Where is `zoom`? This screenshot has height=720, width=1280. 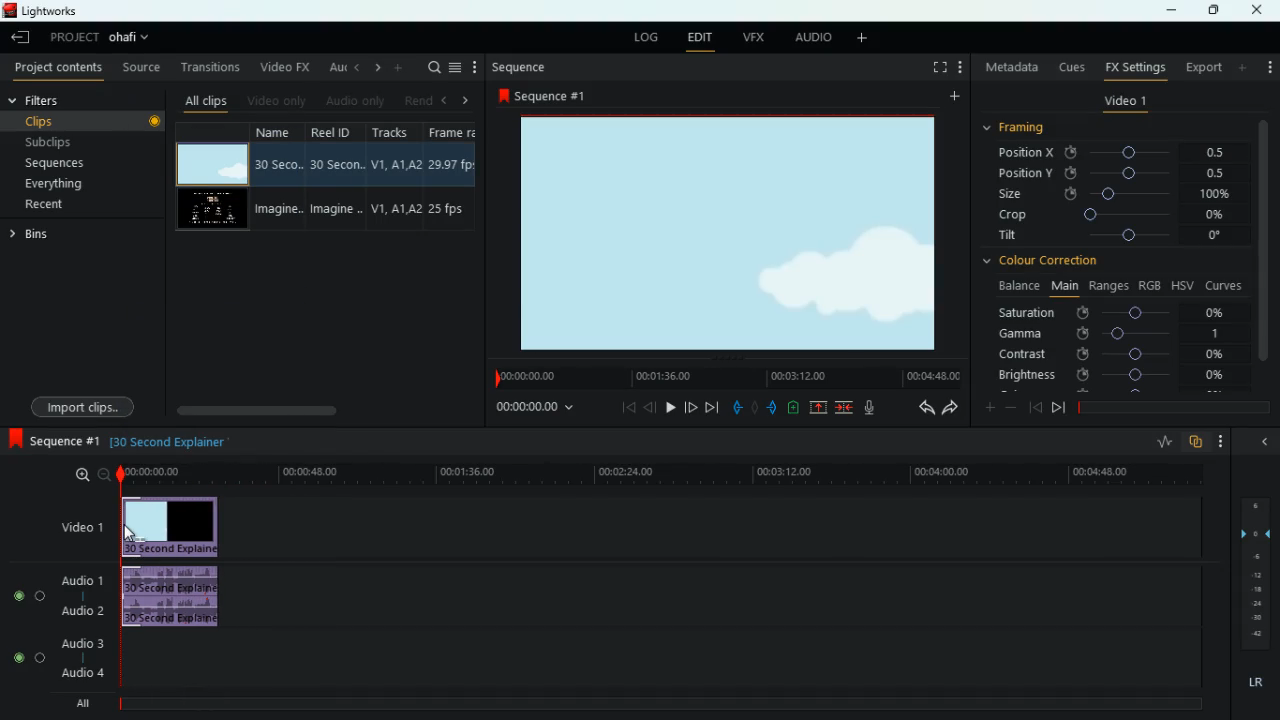 zoom is located at coordinates (85, 476).